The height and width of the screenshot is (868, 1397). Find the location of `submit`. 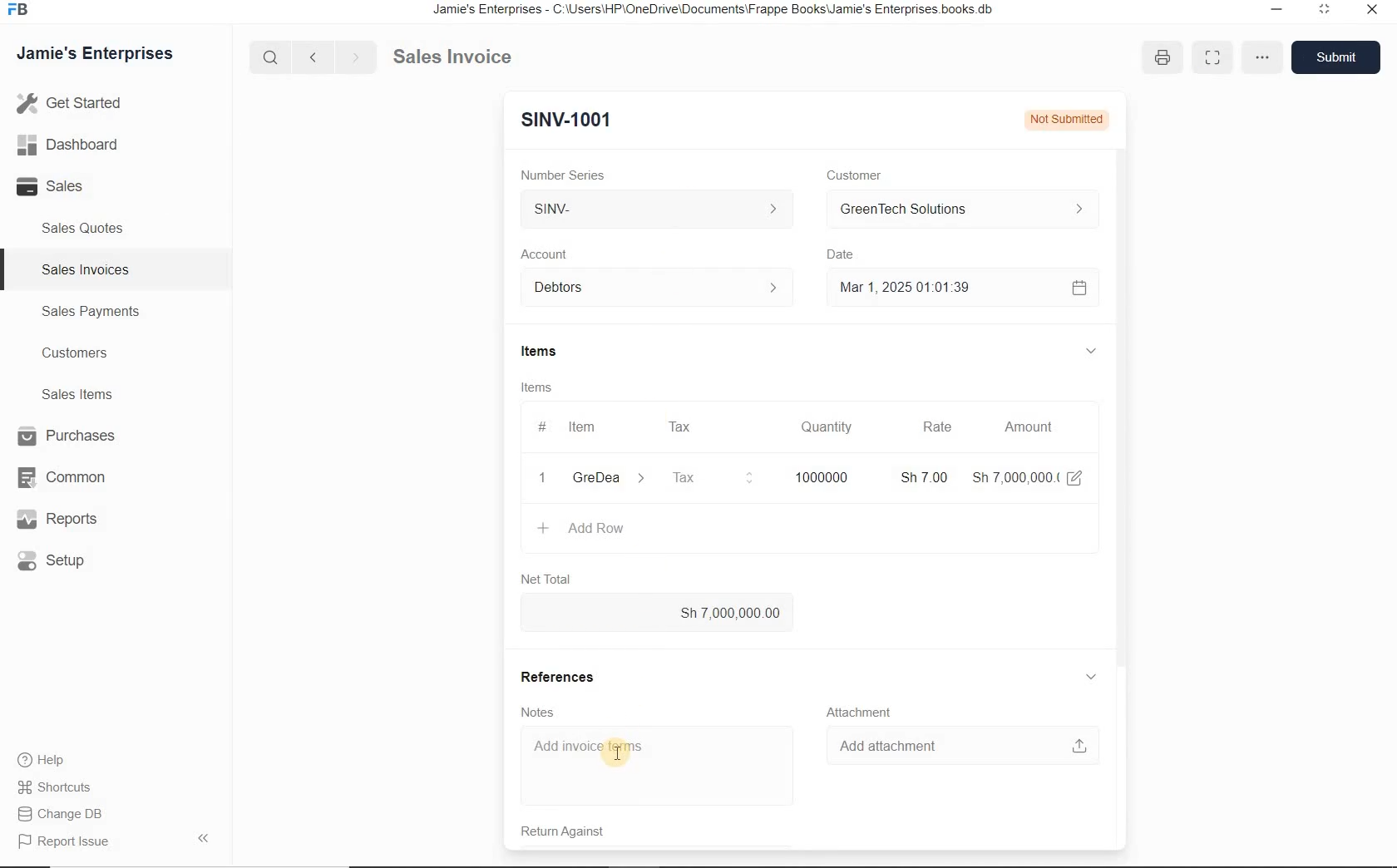

submit is located at coordinates (1338, 57).